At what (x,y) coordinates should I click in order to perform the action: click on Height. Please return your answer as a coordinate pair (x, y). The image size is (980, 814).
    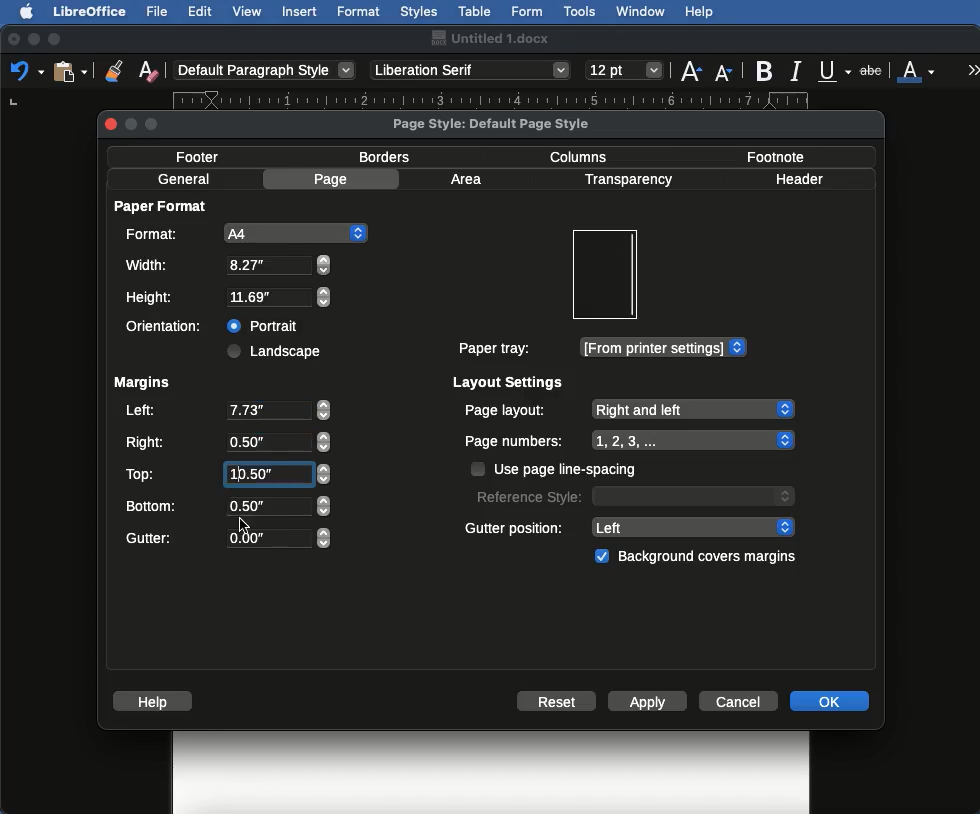
    Looking at the image, I should click on (229, 298).